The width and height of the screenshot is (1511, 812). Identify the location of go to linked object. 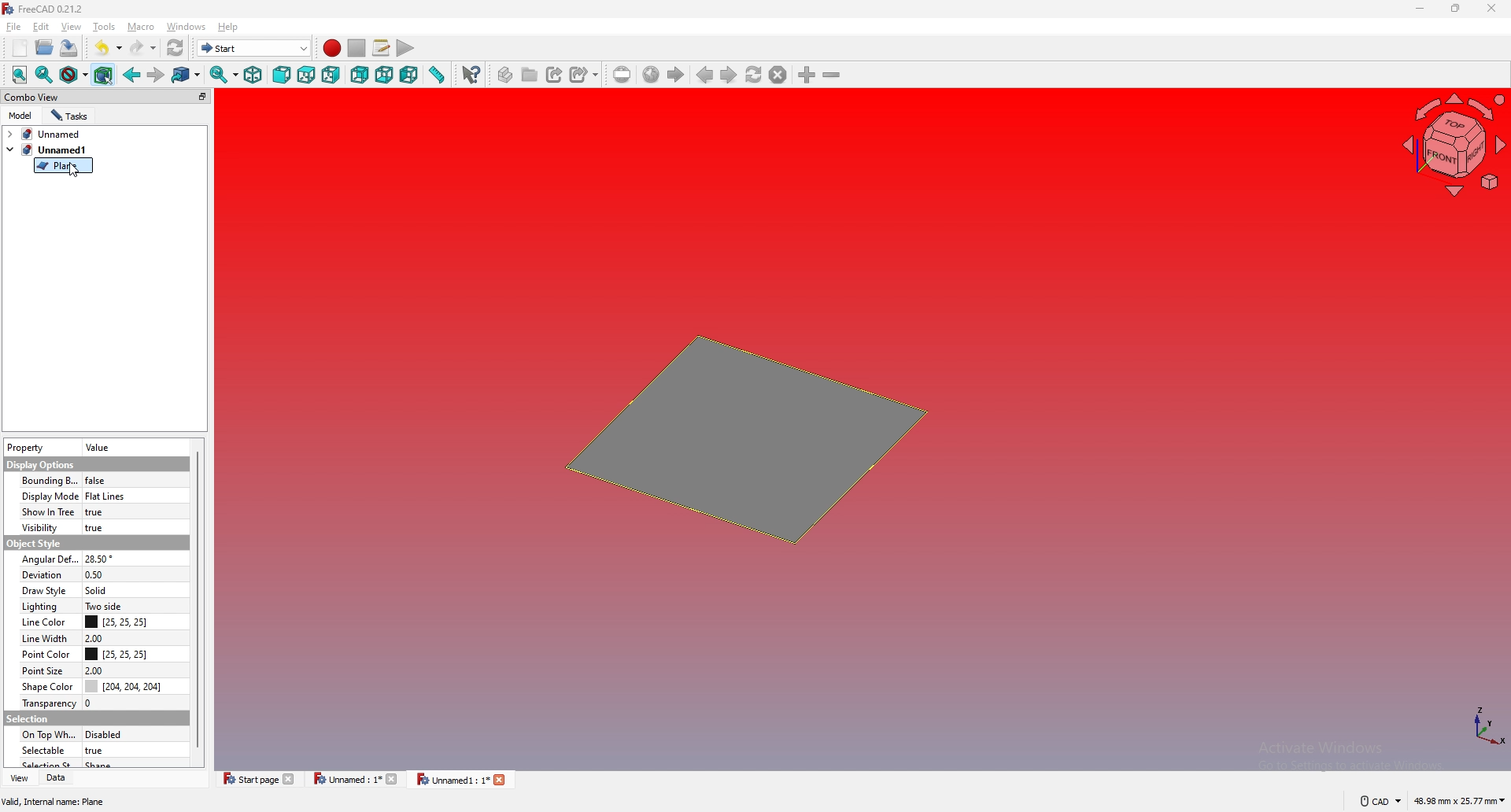
(187, 76).